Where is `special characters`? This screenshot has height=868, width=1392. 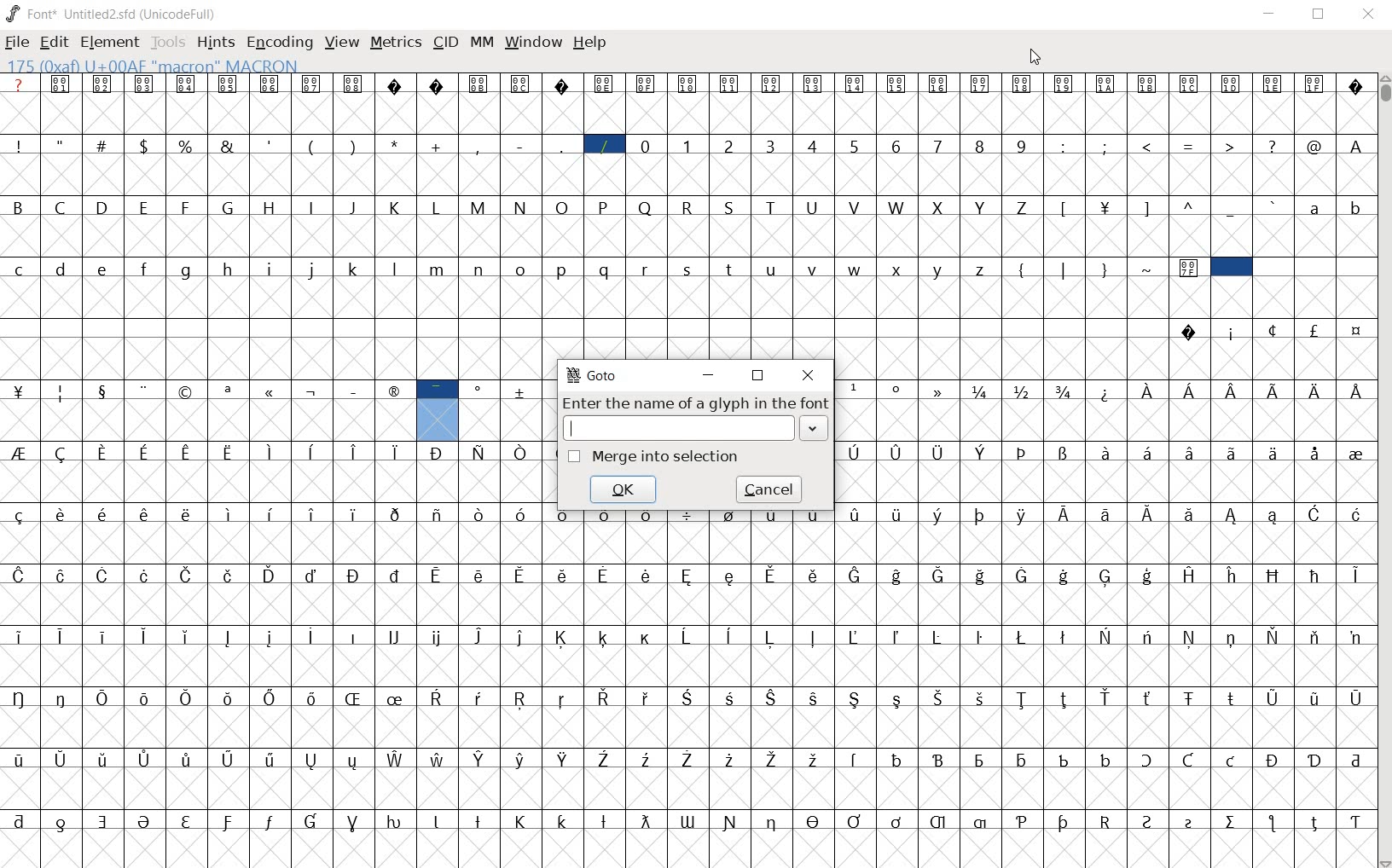
special characters is located at coordinates (1021, 472).